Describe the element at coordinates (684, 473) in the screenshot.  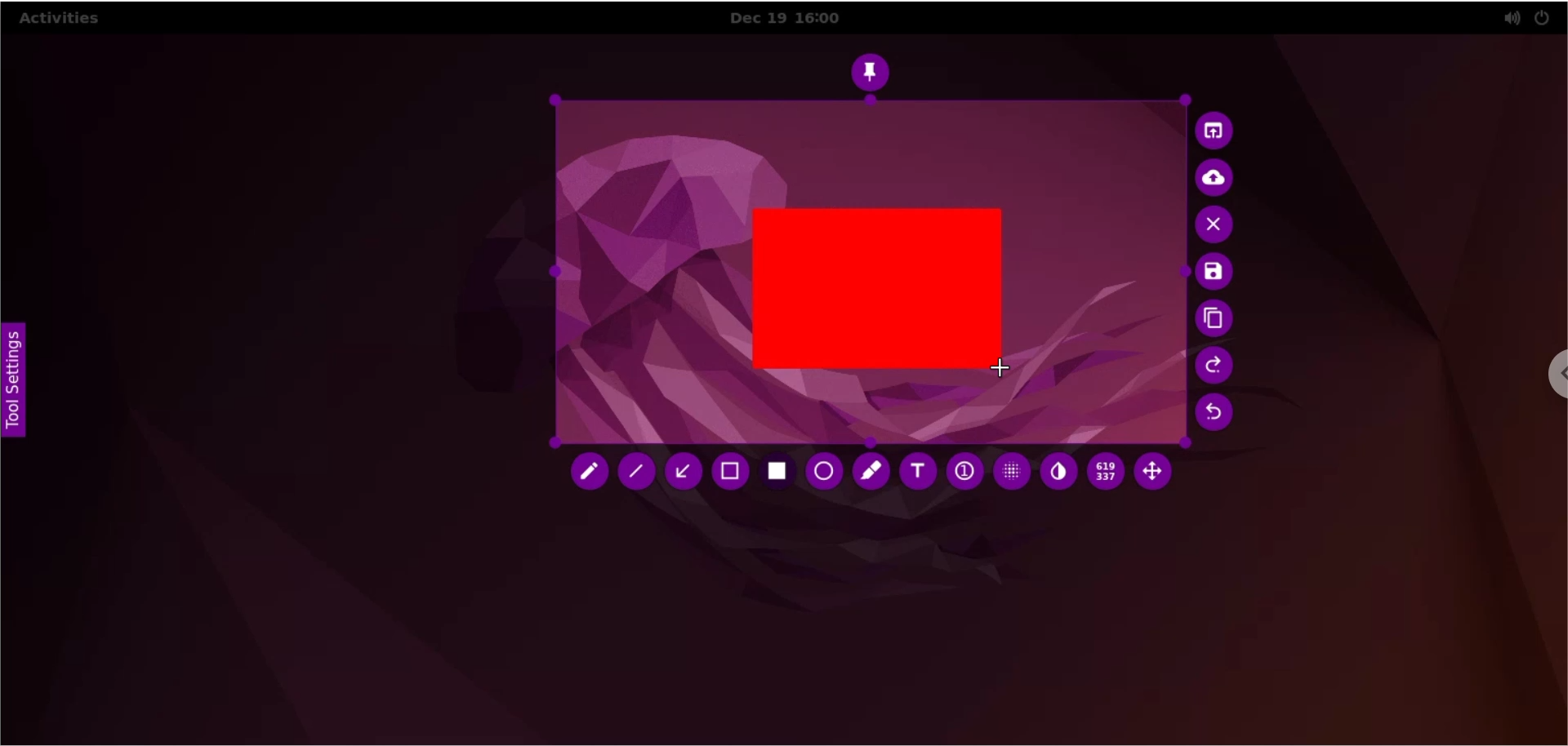
I see `arrow tool` at that location.